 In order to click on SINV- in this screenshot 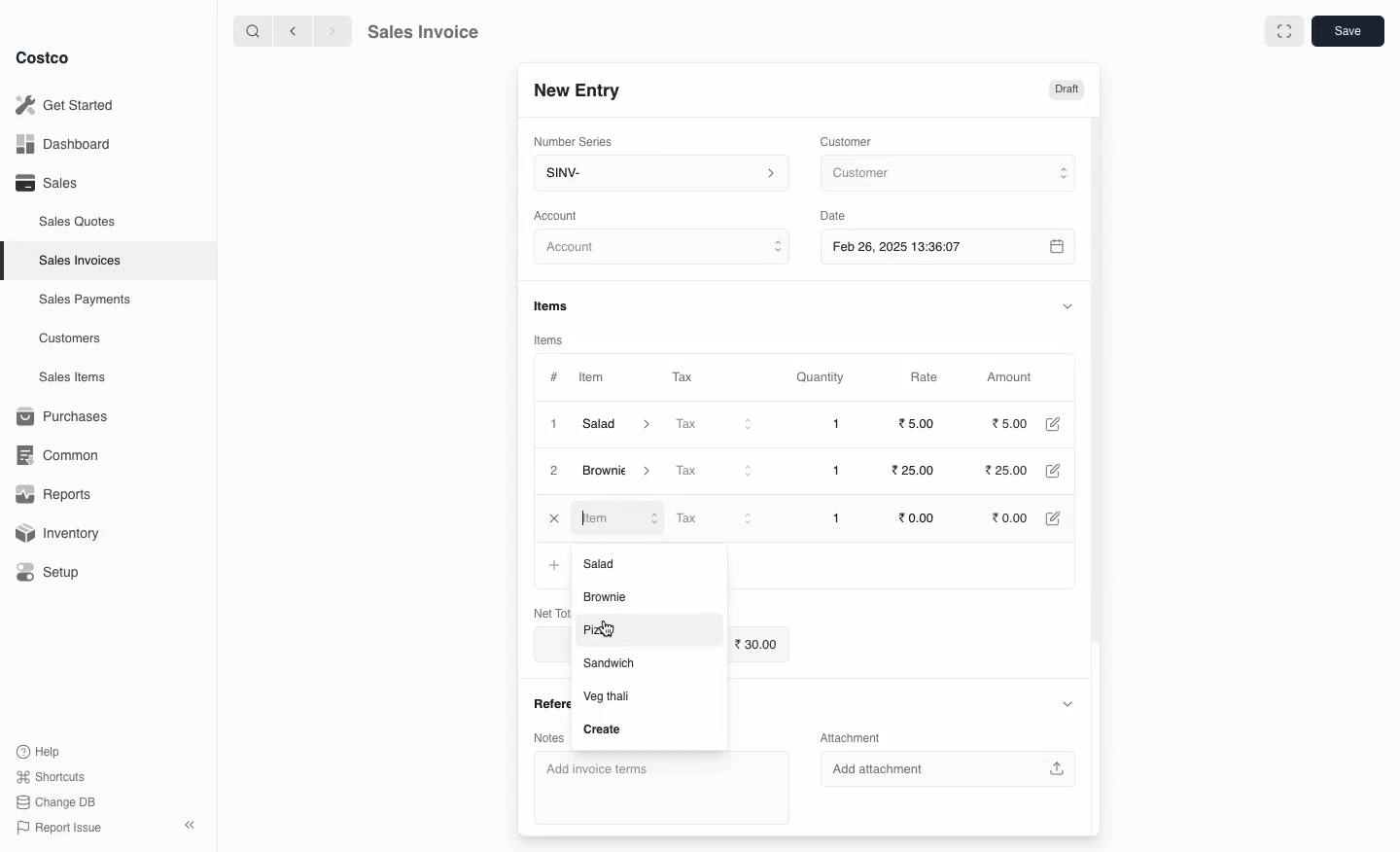, I will do `click(660, 175)`.